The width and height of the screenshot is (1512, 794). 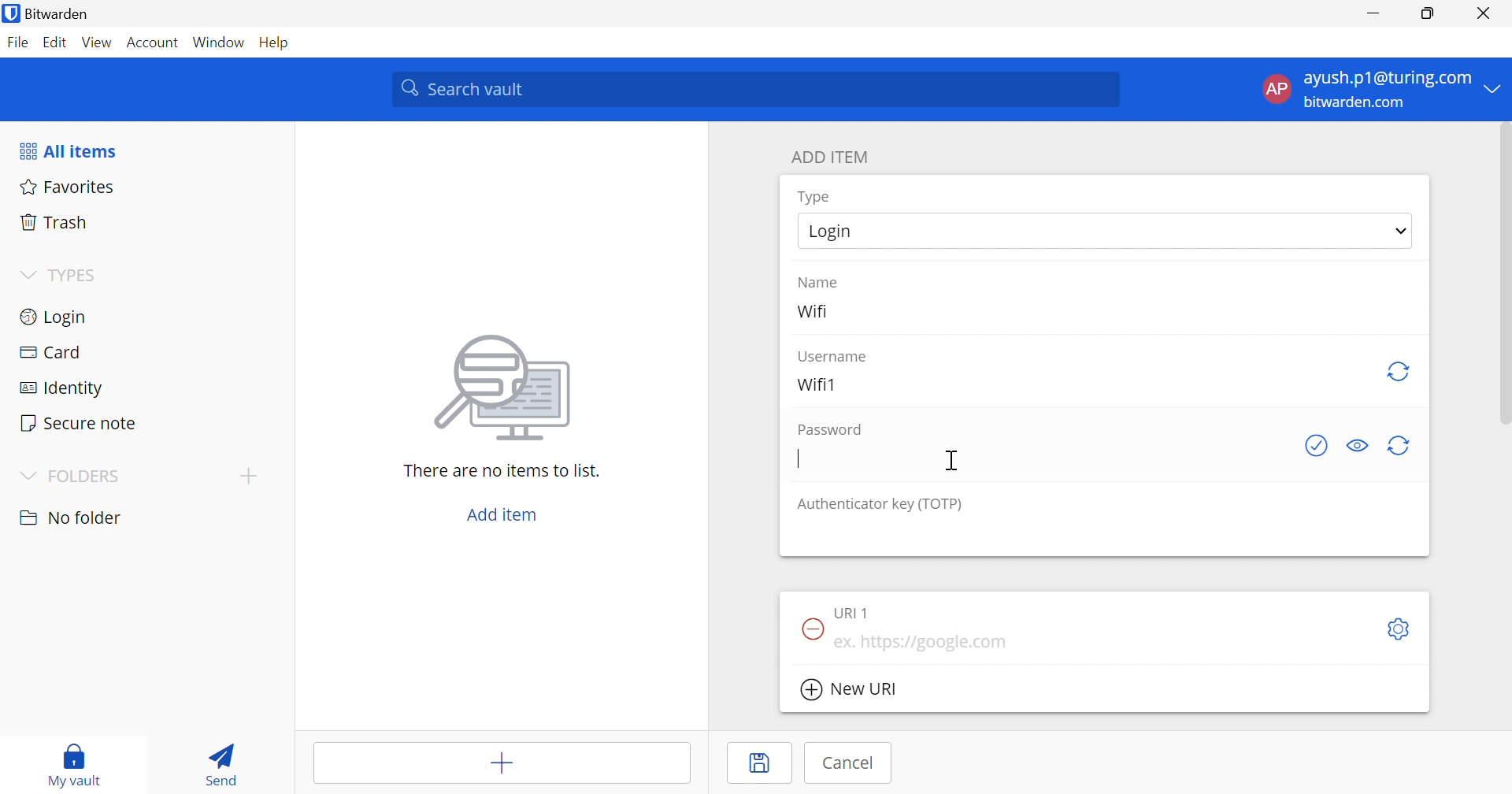 What do you see at coordinates (1402, 230) in the screenshot?
I see `Drop Down` at bounding box center [1402, 230].